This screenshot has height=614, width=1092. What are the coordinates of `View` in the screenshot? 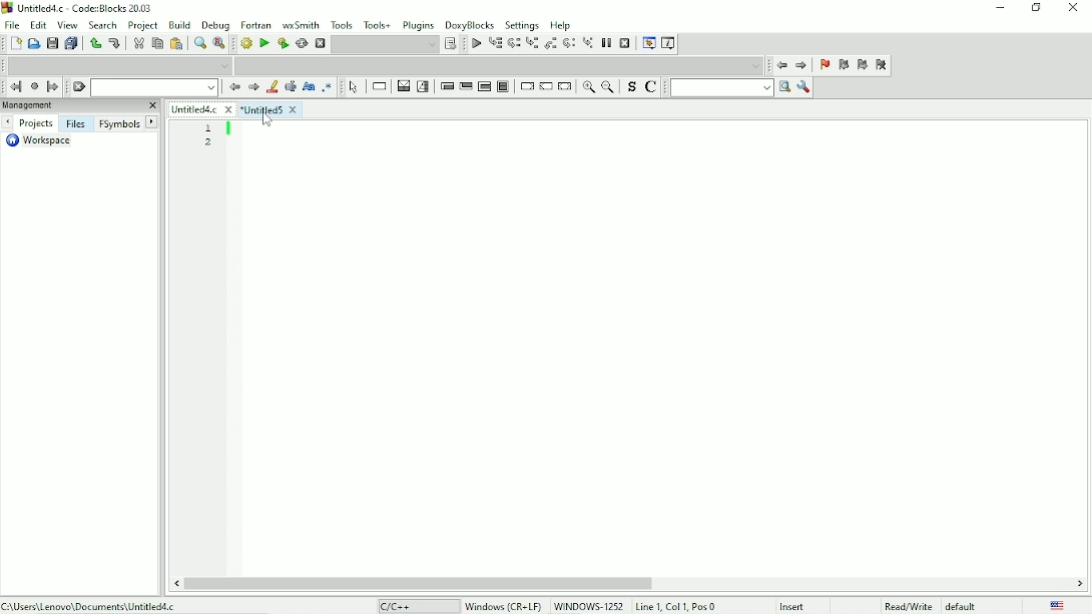 It's located at (67, 26).